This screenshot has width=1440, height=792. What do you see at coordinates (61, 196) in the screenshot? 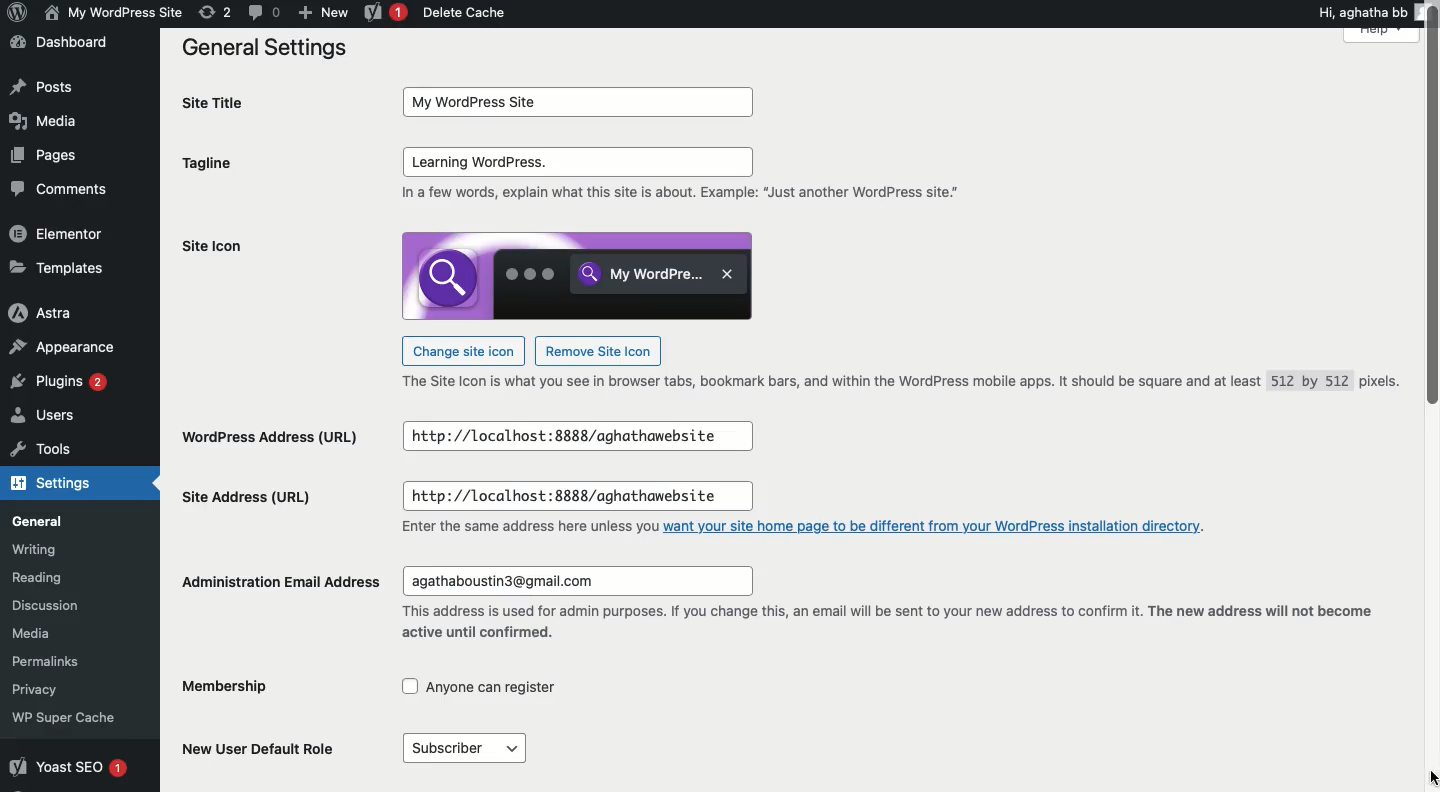
I see `Comment` at bounding box center [61, 196].